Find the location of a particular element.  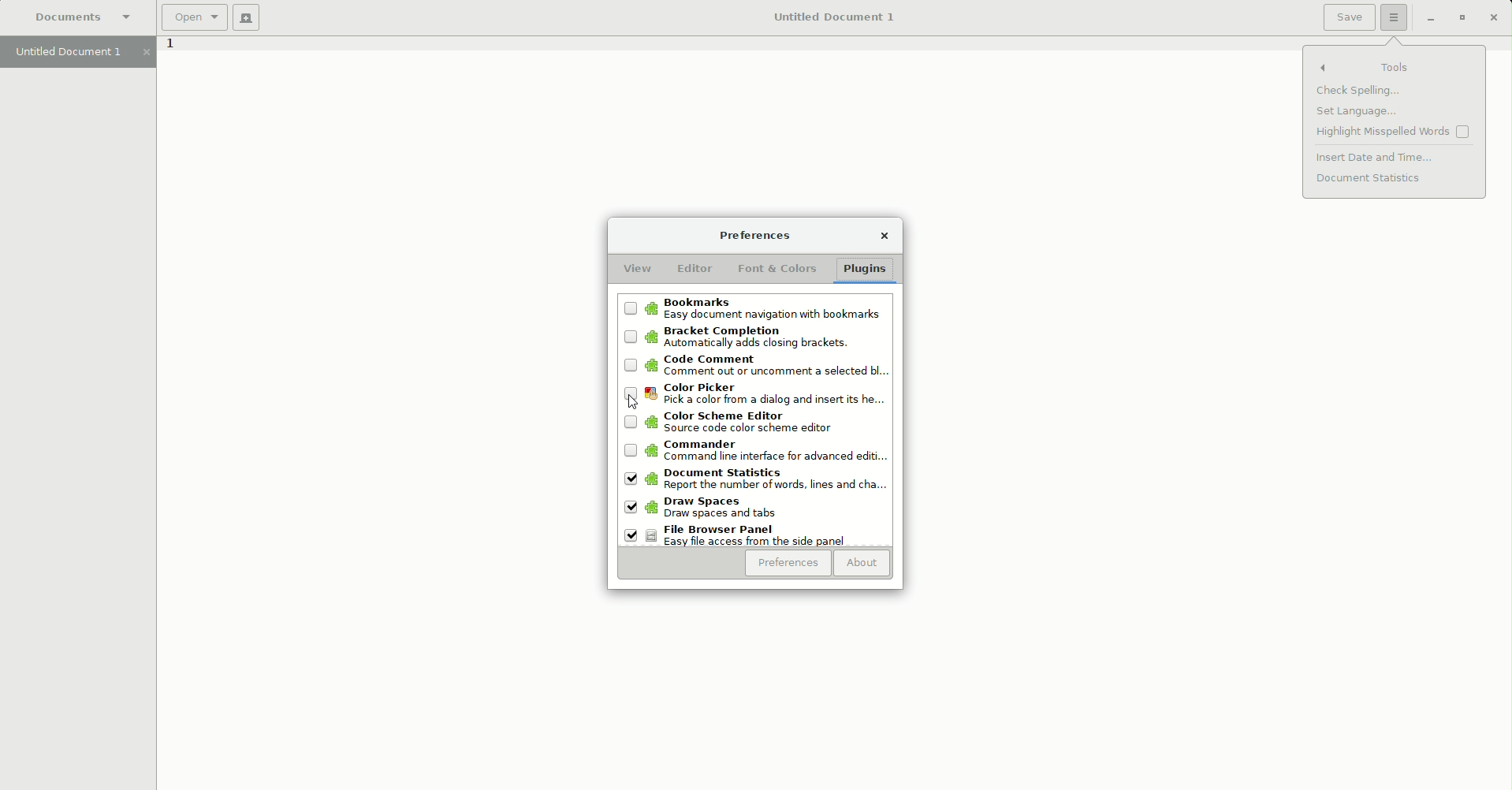

Color Scheme editor: Source code color scheme editor is located at coordinates (750, 422).